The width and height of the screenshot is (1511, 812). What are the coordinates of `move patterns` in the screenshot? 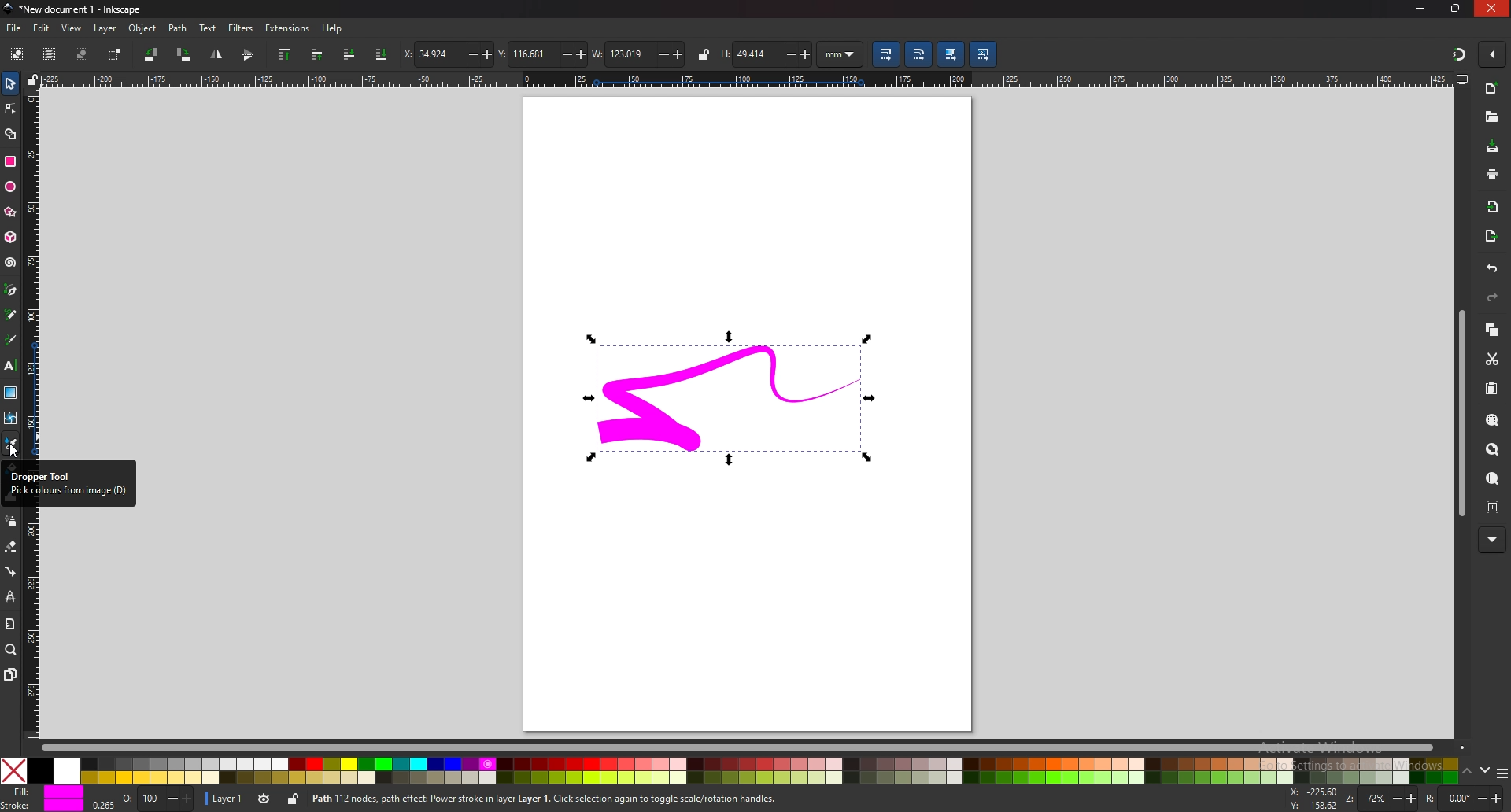 It's located at (983, 54).